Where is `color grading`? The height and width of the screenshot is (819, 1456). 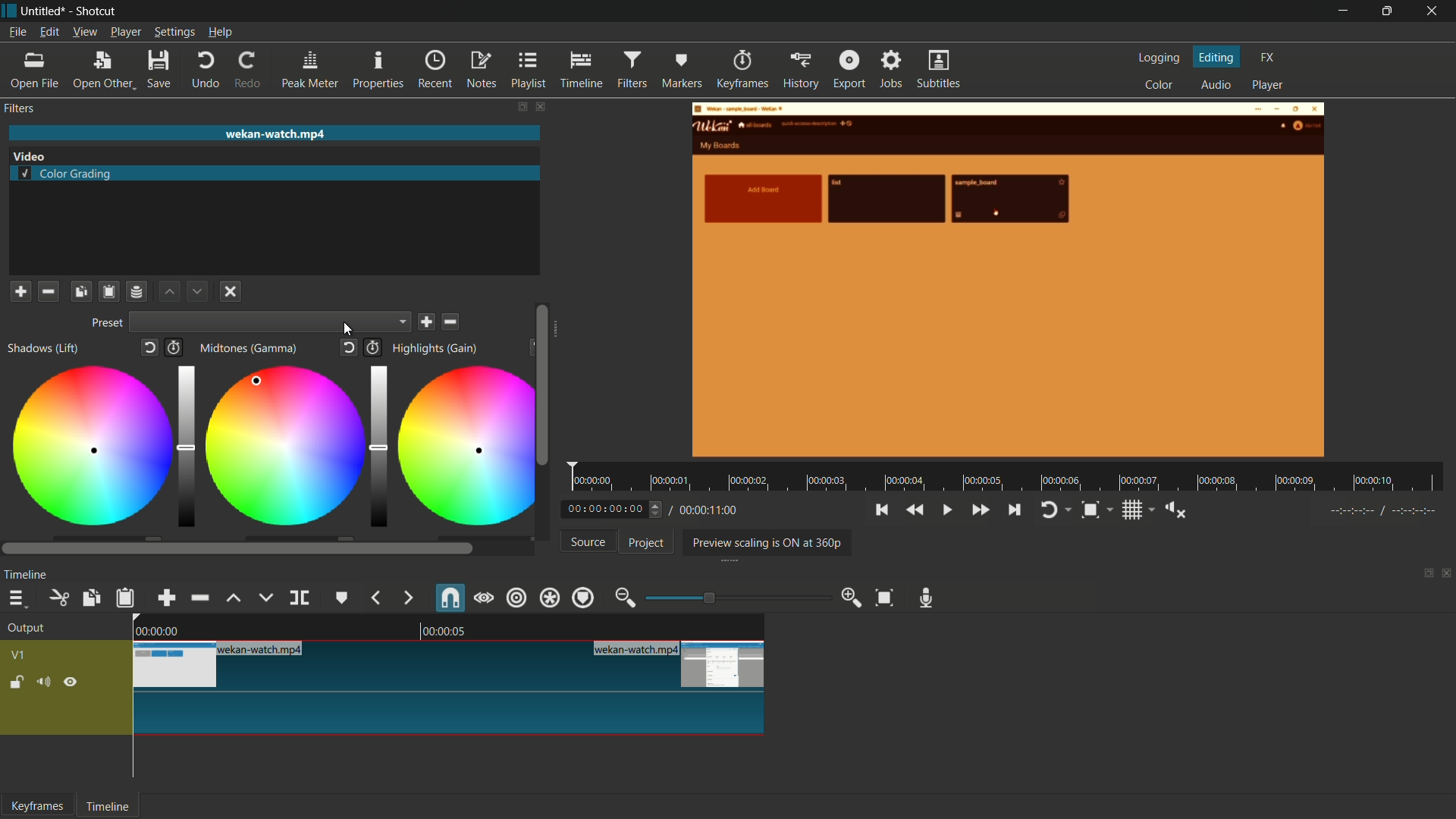
color grading is located at coordinates (29, 155).